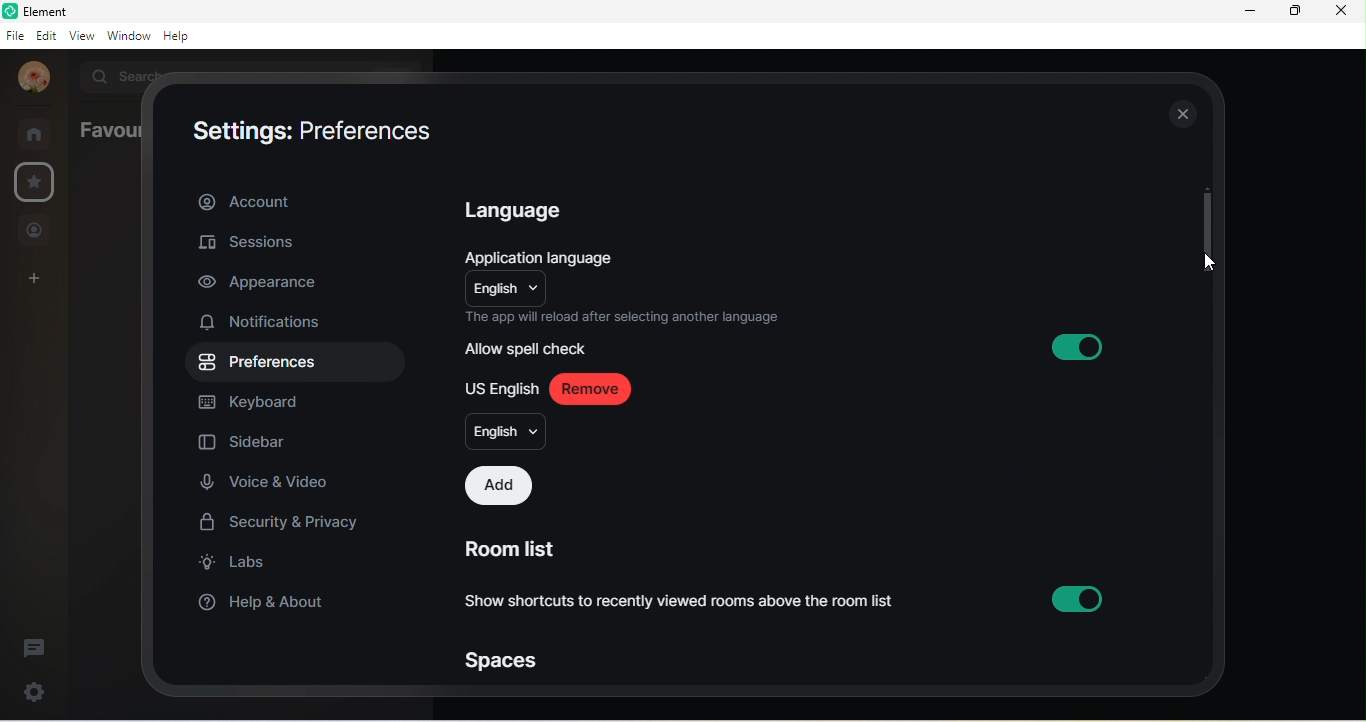 The image size is (1366, 722). Describe the element at coordinates (271, 241) in the screenshot. I see `sessions` at that location.